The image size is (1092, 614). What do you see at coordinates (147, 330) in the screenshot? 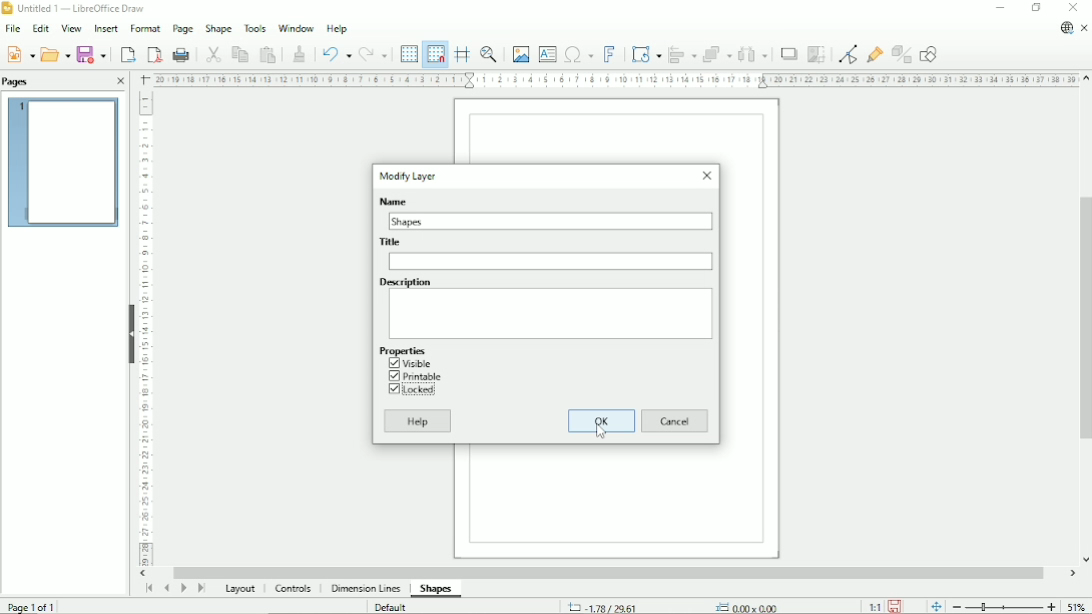
I see `Vertical scale` at bounding box center [147, 330].